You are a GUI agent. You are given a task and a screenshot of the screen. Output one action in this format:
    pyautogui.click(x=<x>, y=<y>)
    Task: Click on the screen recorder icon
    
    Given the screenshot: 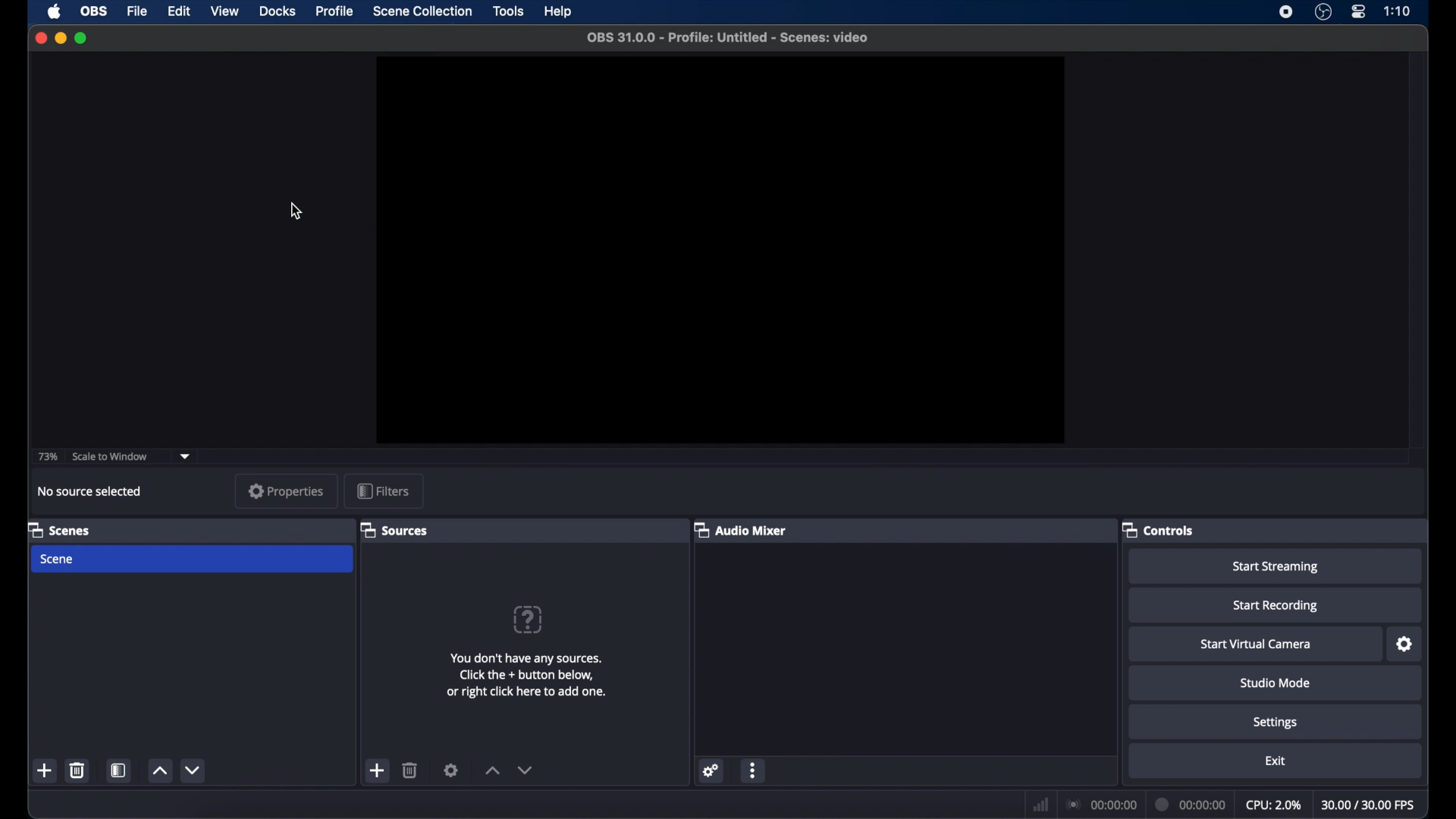 What is the action you would take?
    pyautogui.click(x=1285, y=12)
    